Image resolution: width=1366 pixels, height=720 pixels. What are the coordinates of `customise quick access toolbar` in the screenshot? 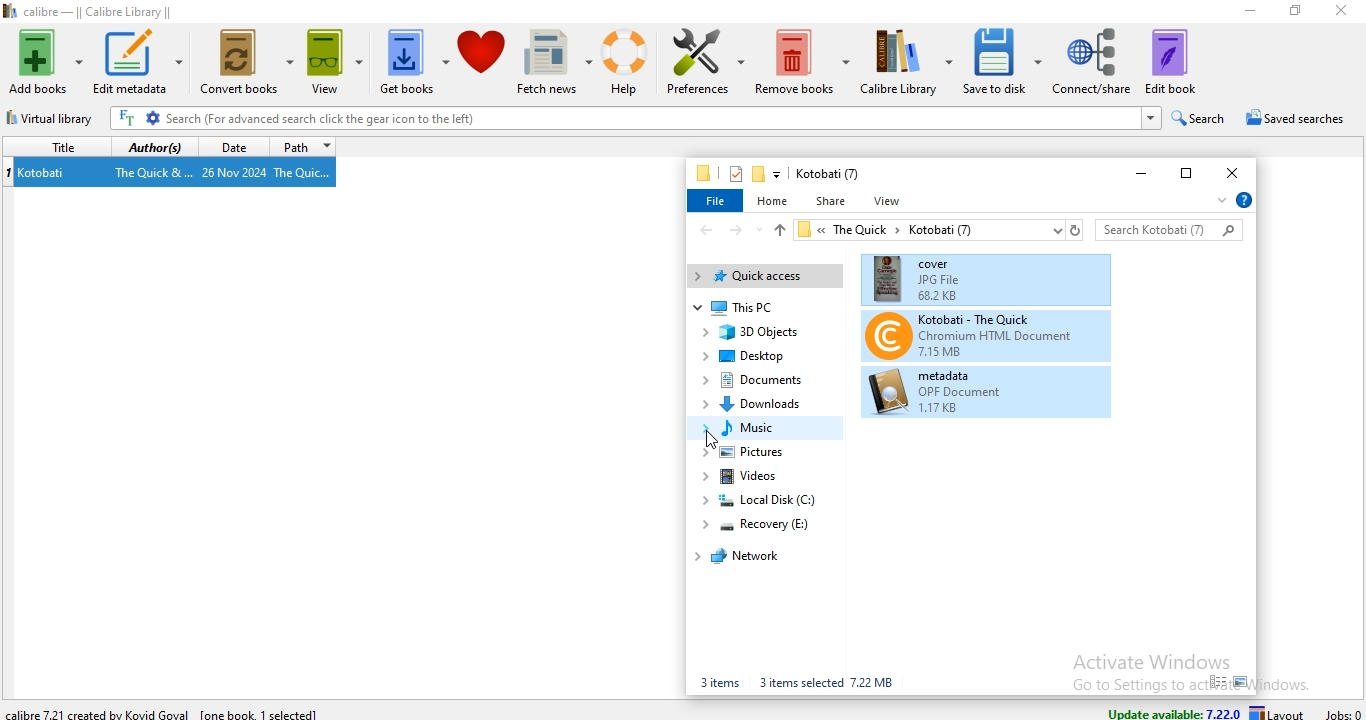 It's located at (778, 174).